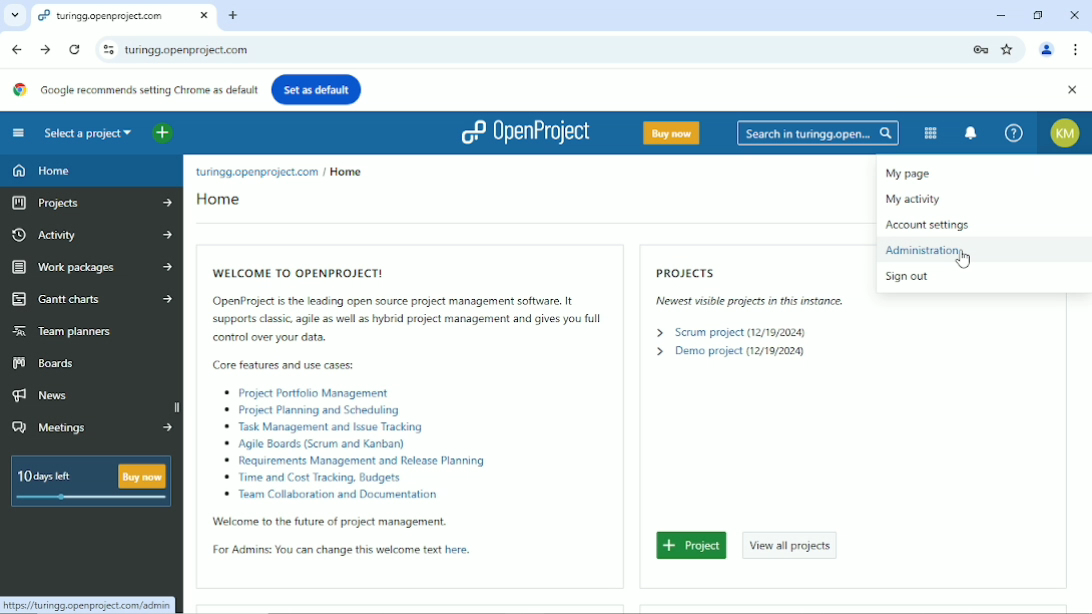 The image size is (1092, 614). What do you see at coordinates (47, 396) in the screenshot?
I see `News` at bounding box center [47, 396].